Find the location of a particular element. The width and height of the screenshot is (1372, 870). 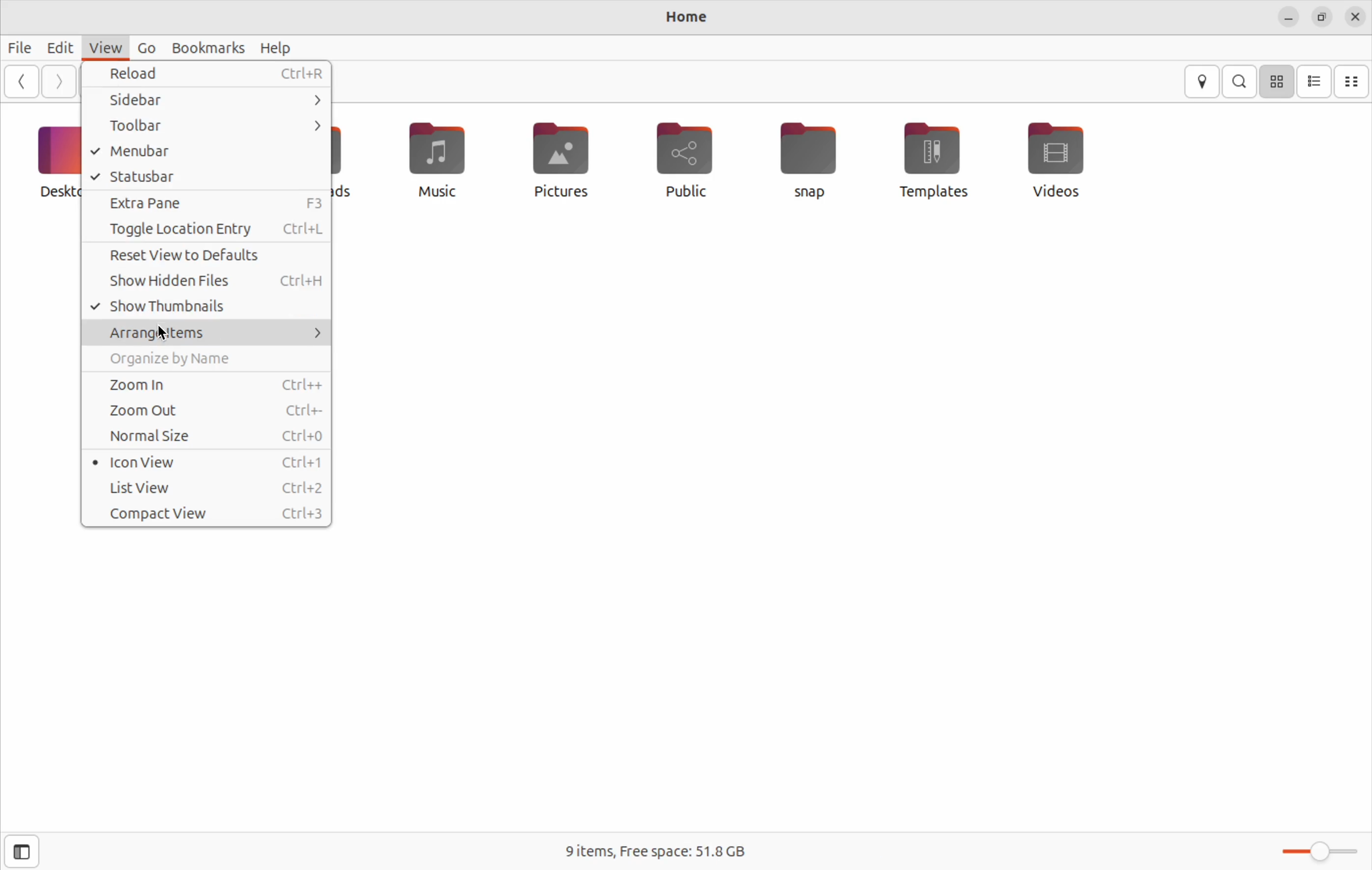

home is located at coordinates (685, 19).